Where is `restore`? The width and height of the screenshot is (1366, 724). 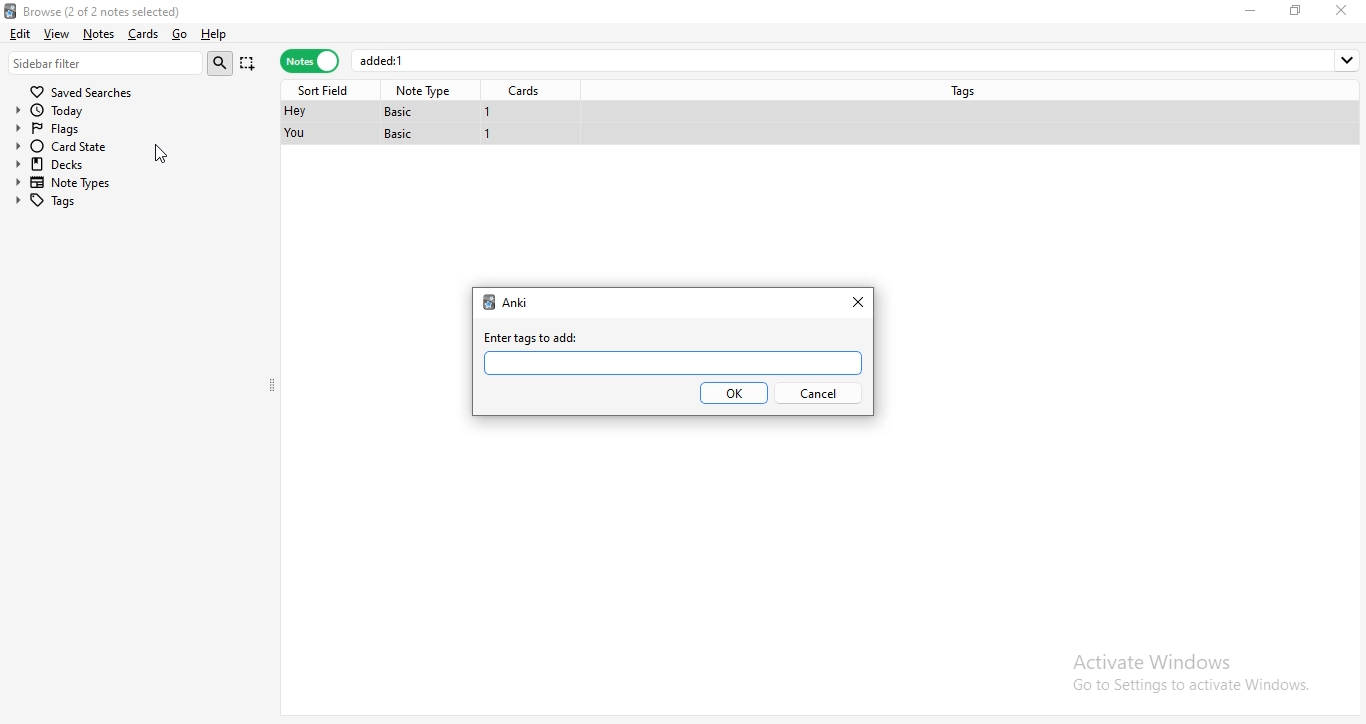 restore is located at coordinates (1296, 10).